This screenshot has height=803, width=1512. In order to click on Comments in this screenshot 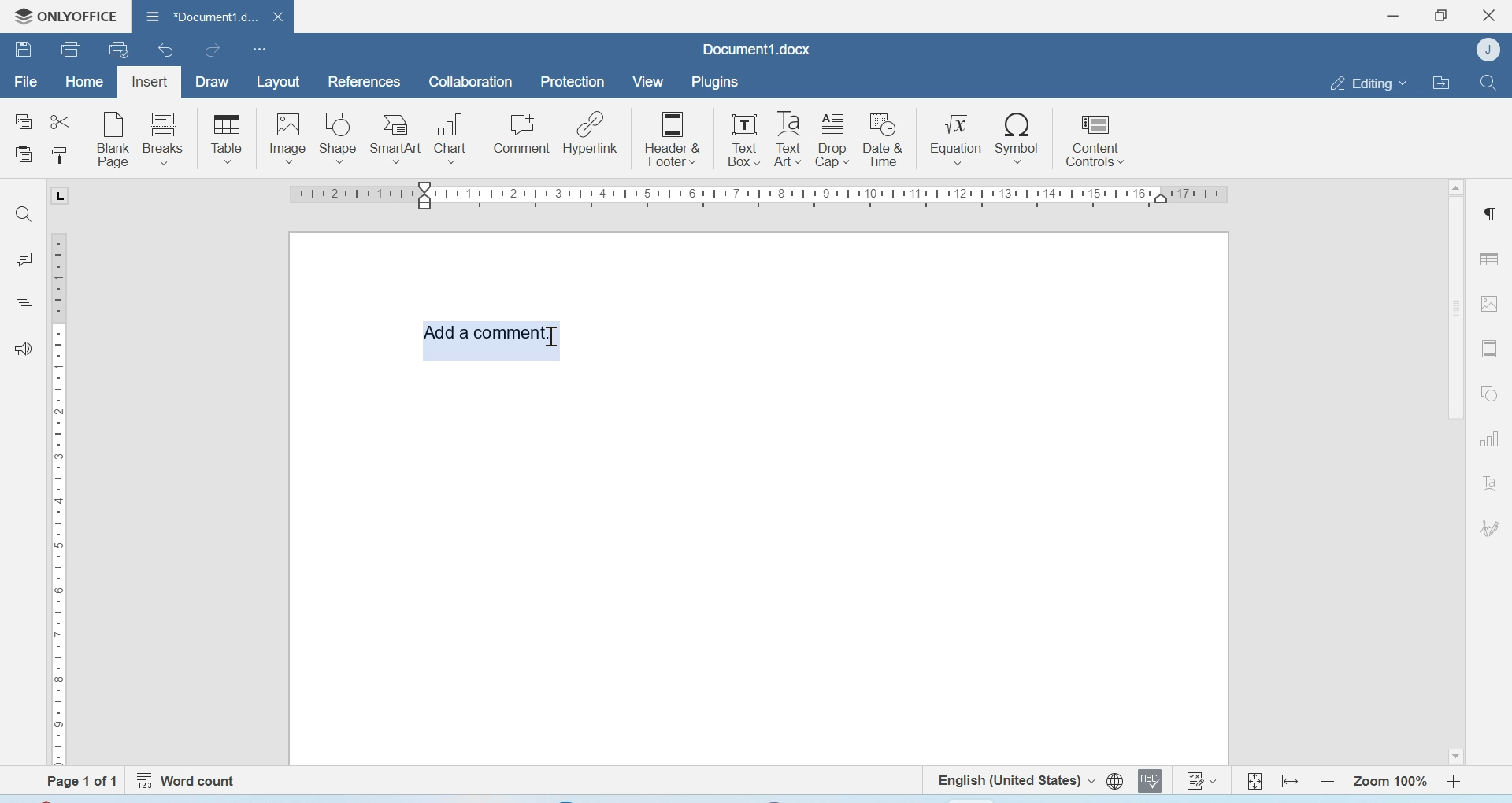, I will do `click(23, 259)`.